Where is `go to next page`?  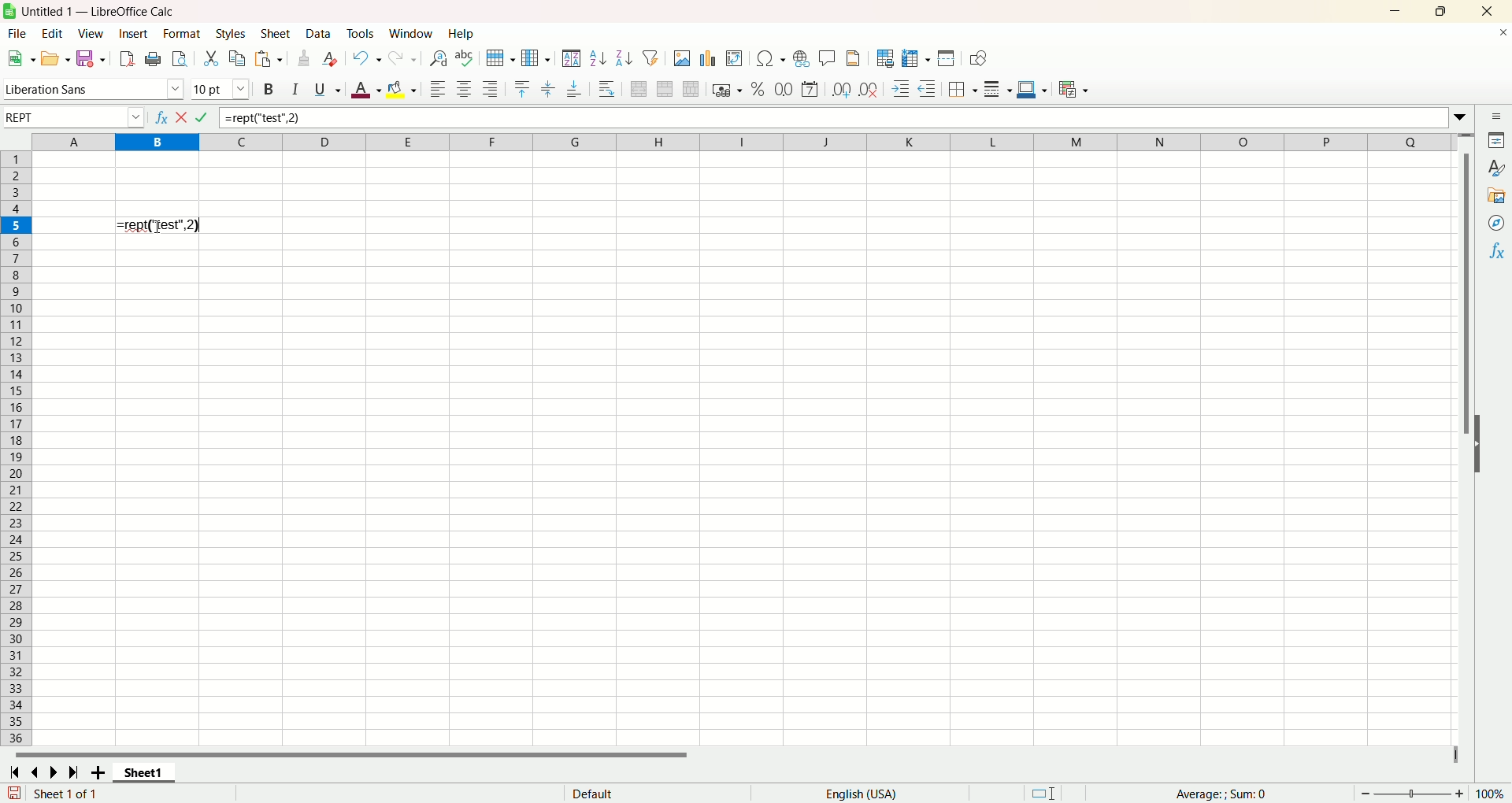 go to next page is located at coordinates (54, 773).